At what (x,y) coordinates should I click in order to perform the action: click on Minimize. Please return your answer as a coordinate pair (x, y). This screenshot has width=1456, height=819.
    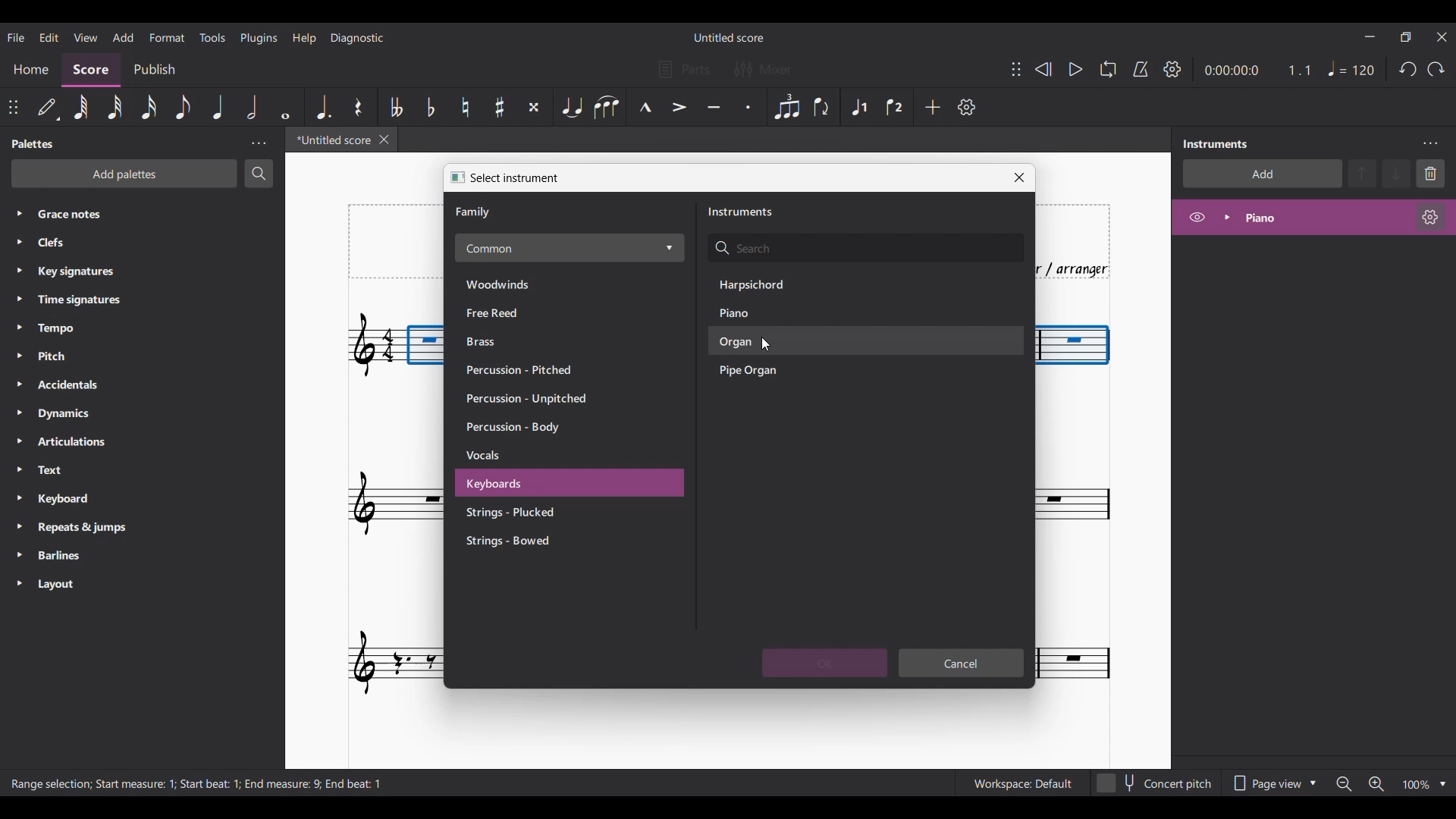
    Looking at the image, I should click on (1369, 36).